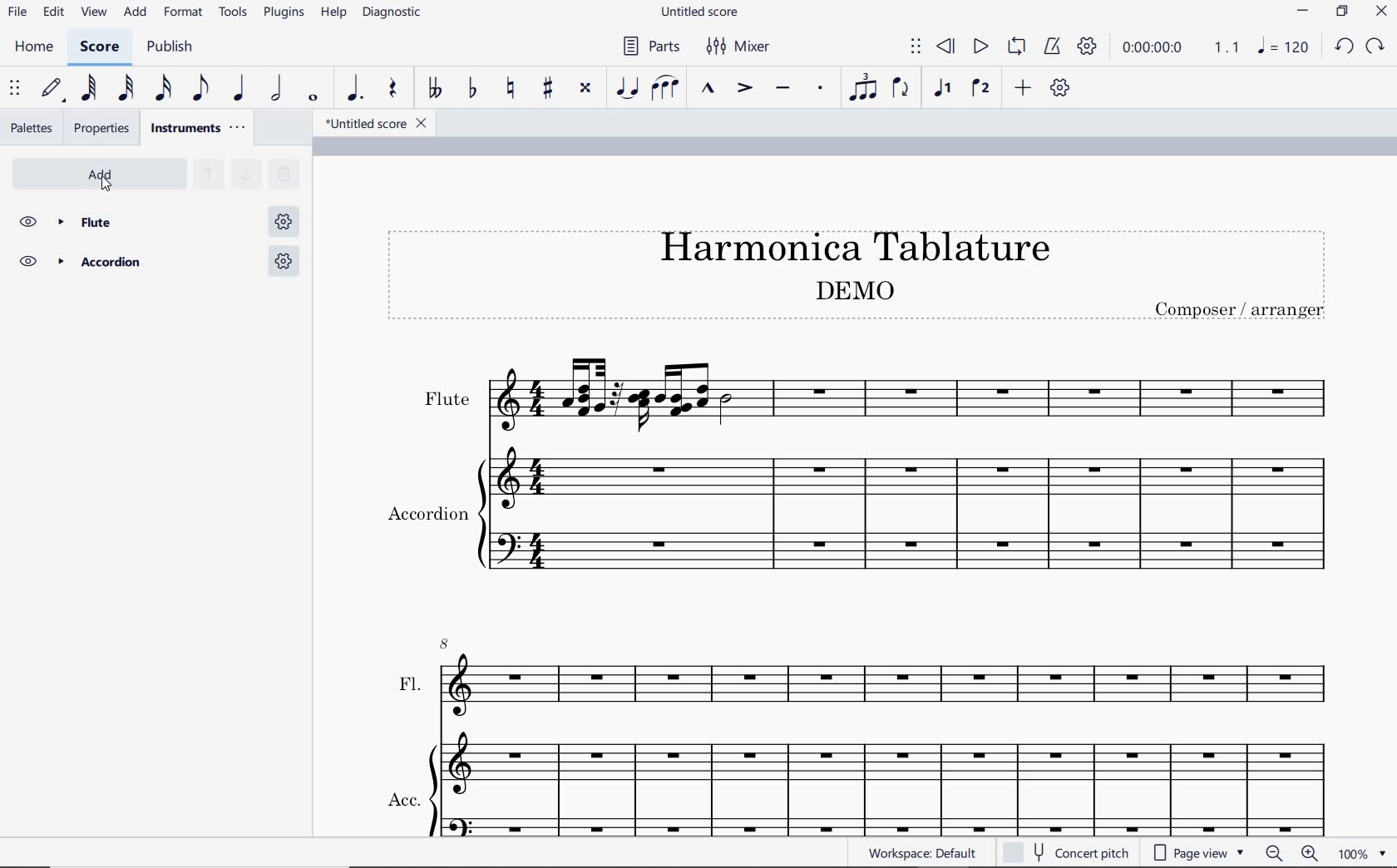 The height and width of the screenshot is (868, 1397). What do you see at coordinates (980, 49) in the screenshot?
I see `play` at bounding box center [980, 49].